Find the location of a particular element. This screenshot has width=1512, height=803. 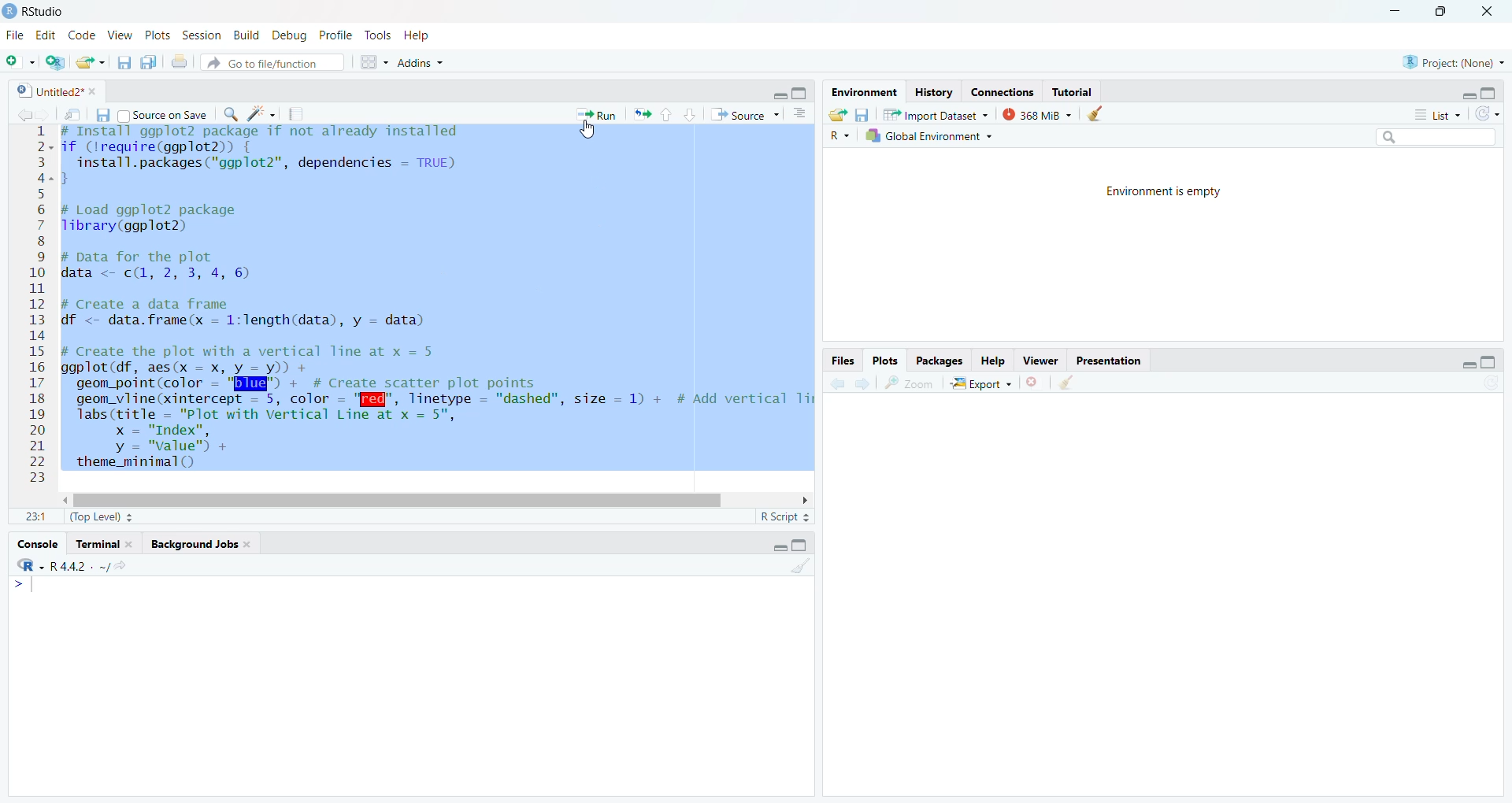

add script is located at coordinates (56, 62).